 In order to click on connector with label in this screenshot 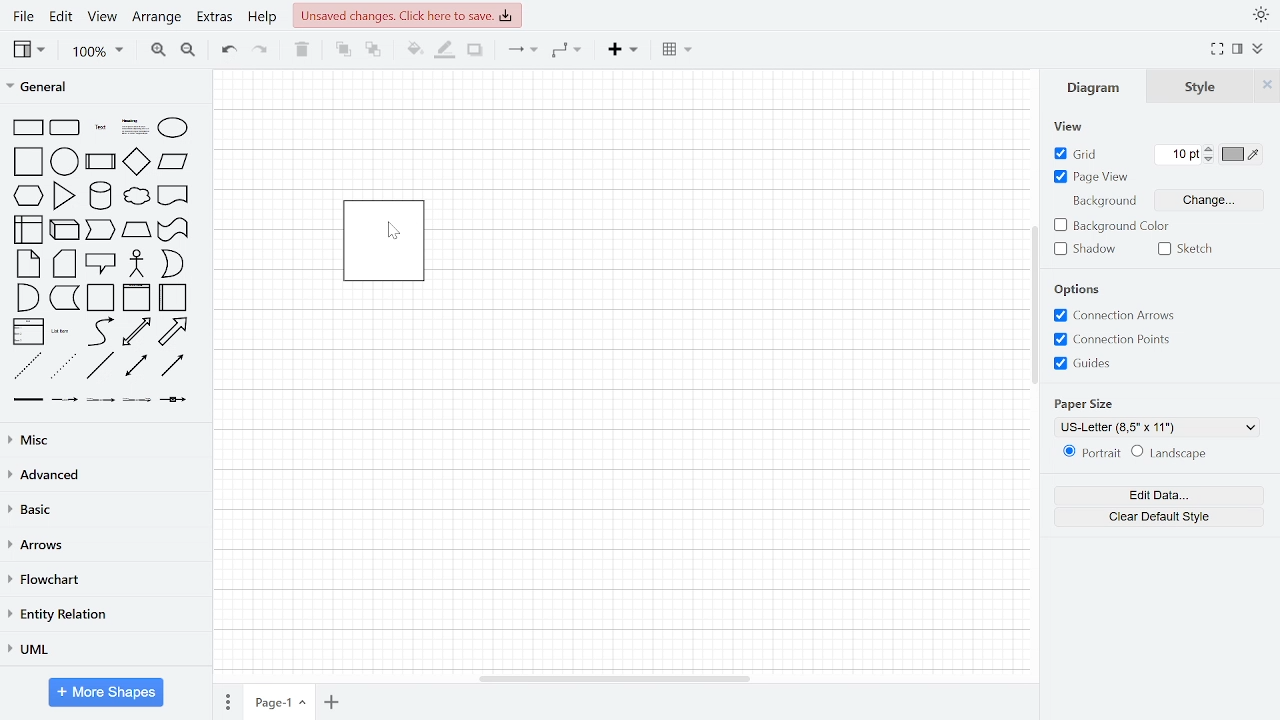, I will do `click(64, 400)`.